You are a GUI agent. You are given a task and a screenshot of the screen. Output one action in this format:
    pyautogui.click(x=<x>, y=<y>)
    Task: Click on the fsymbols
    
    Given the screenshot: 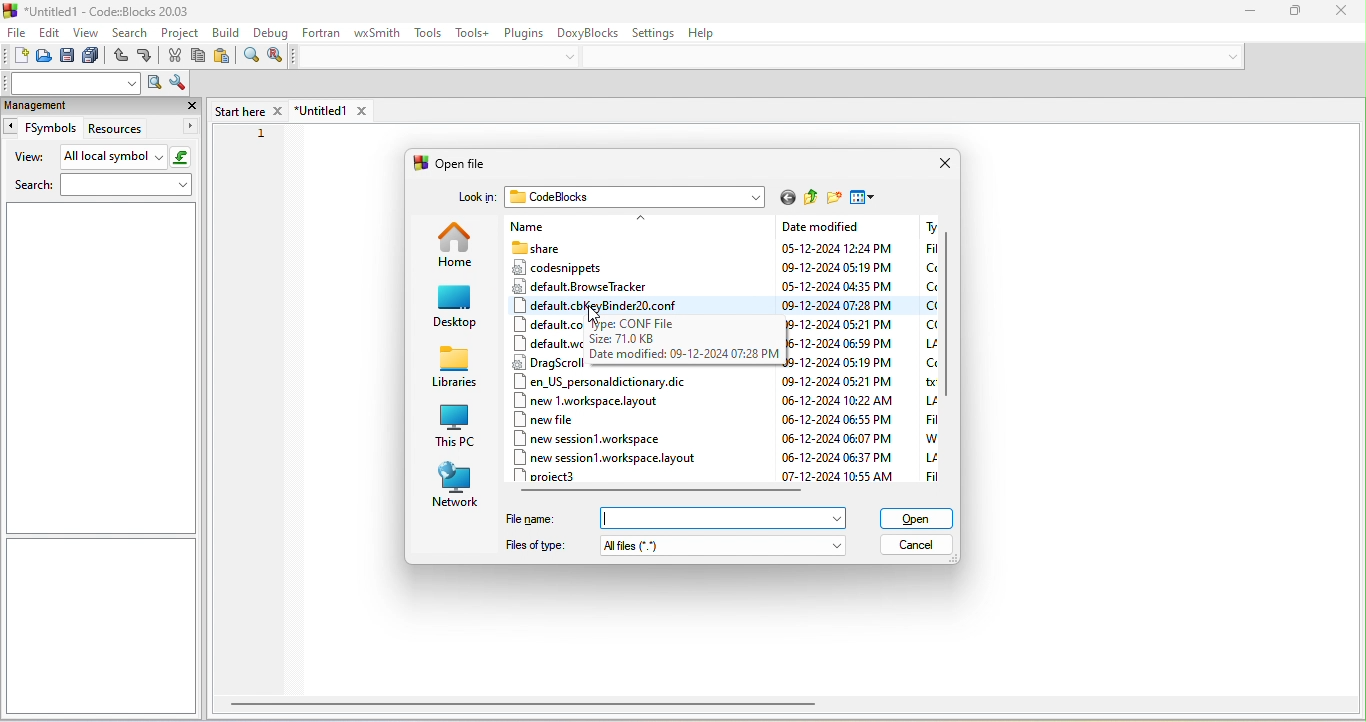 What is the action you would take?
    pyautogui.click(x=41, y=128)
    